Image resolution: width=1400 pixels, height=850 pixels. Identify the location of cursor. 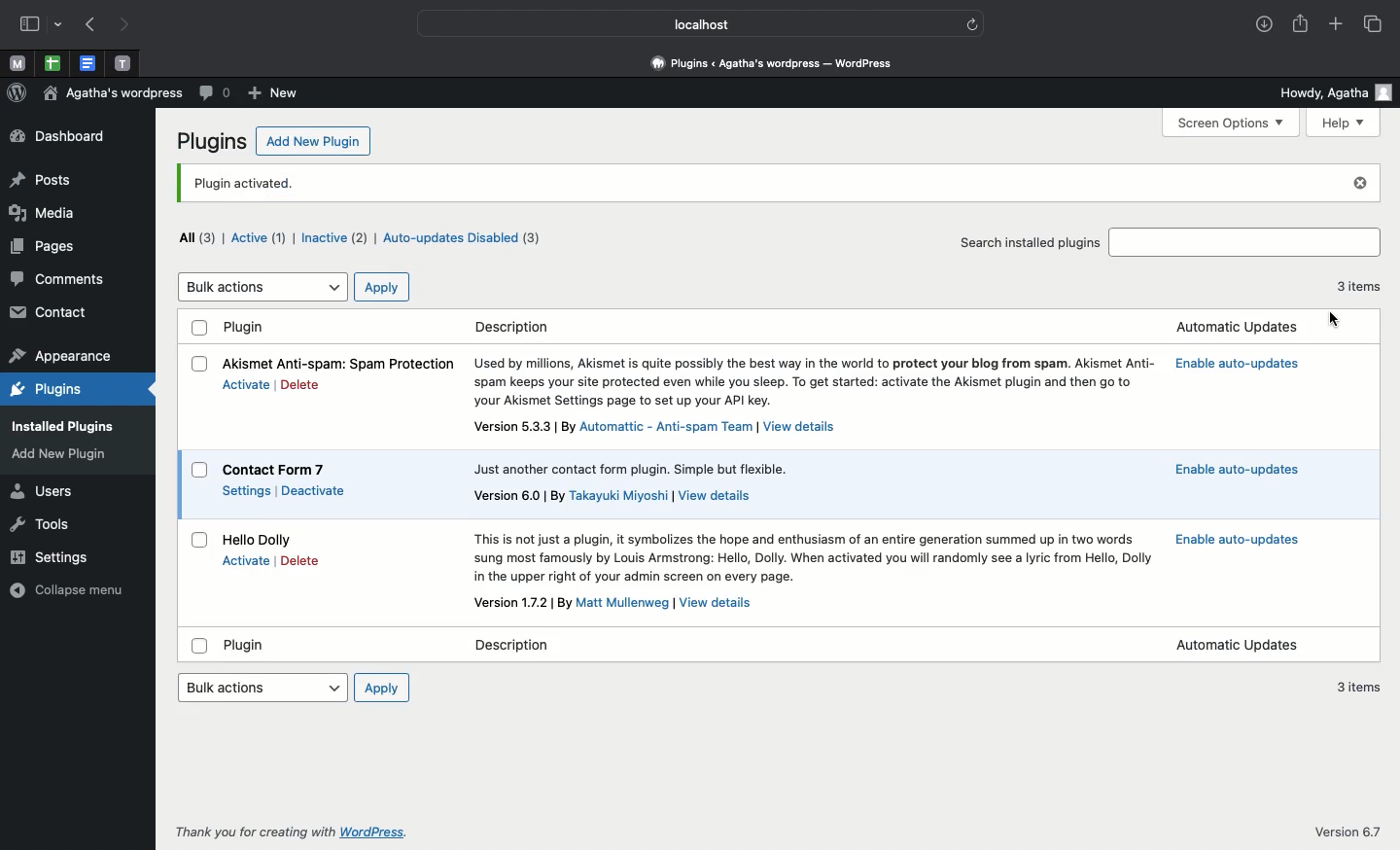
(1332, 320).